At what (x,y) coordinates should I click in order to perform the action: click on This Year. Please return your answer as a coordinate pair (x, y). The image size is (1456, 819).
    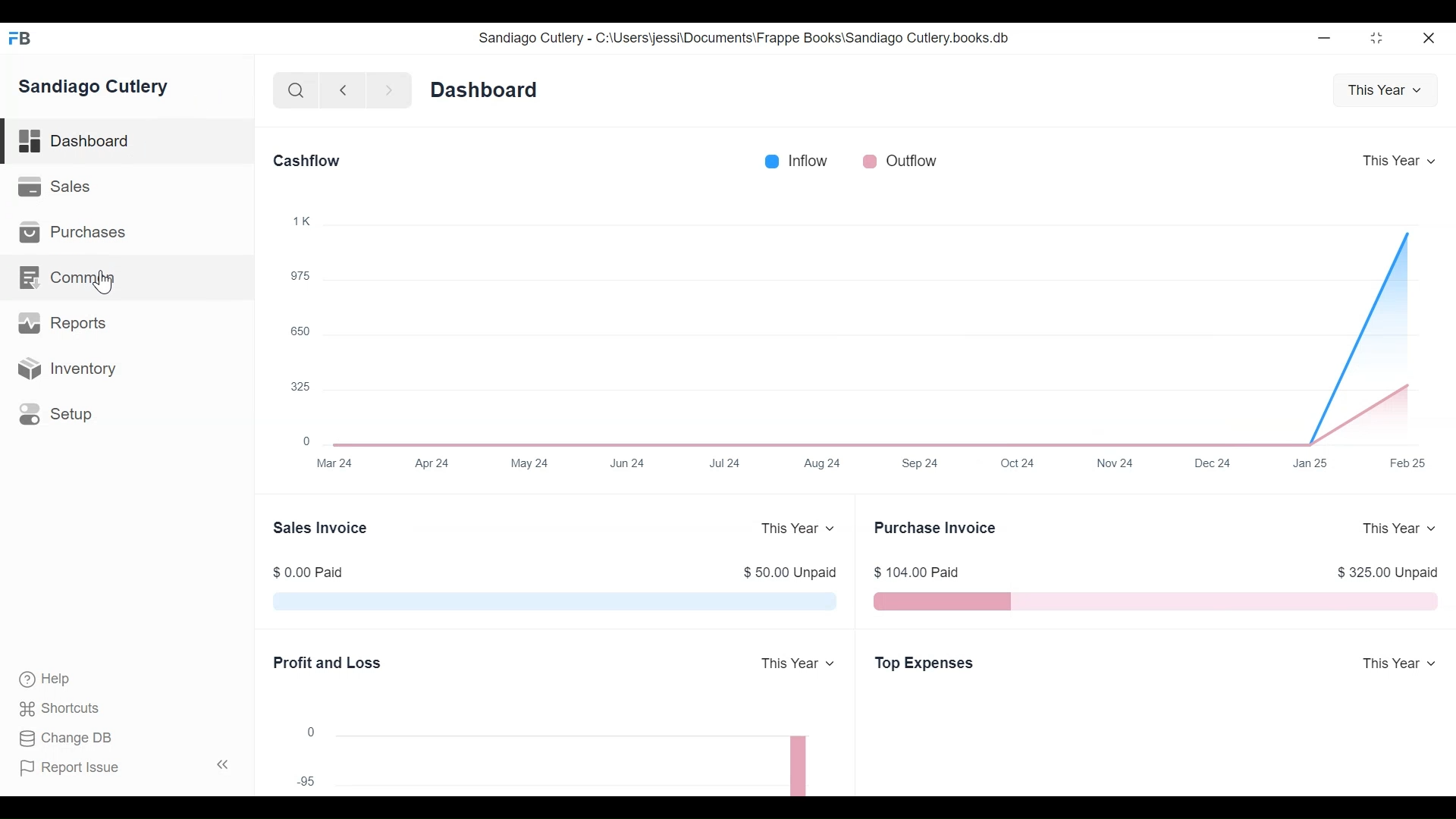
    Looking at the image, I should click on (1395, 663).